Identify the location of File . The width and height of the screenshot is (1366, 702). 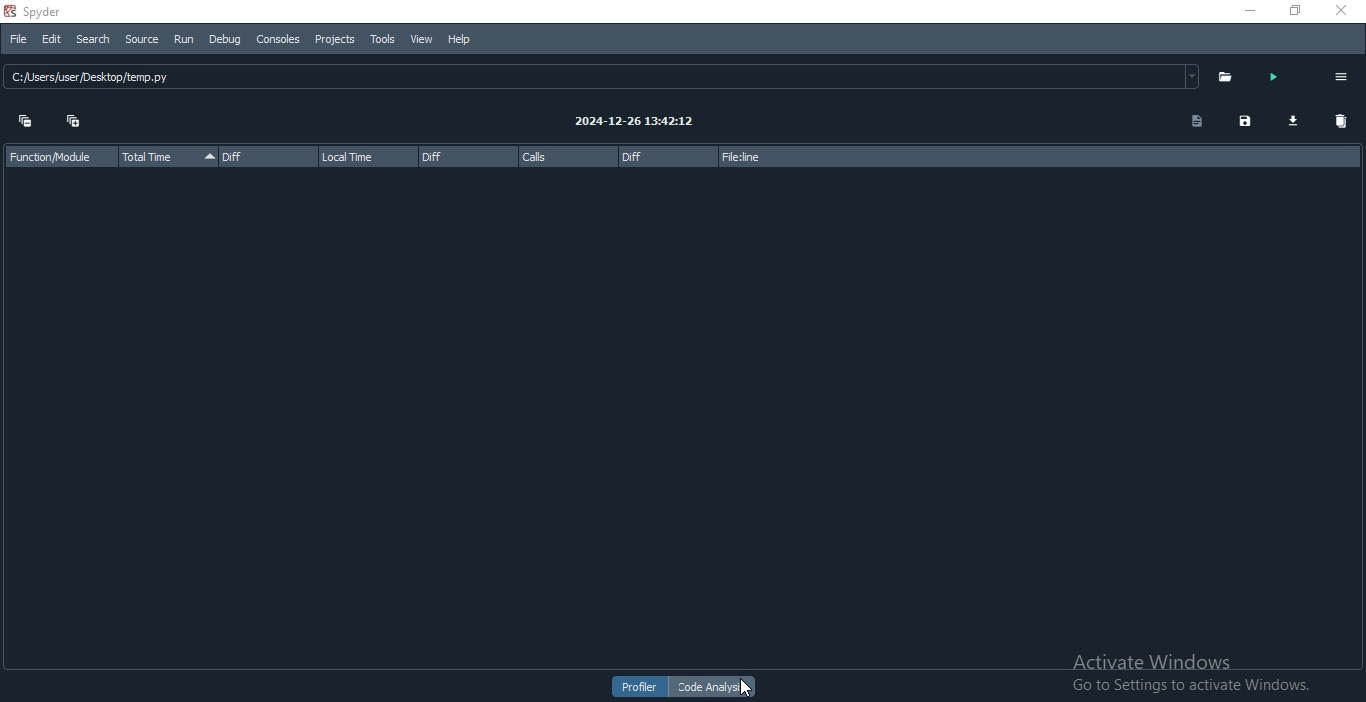
(16, 38).